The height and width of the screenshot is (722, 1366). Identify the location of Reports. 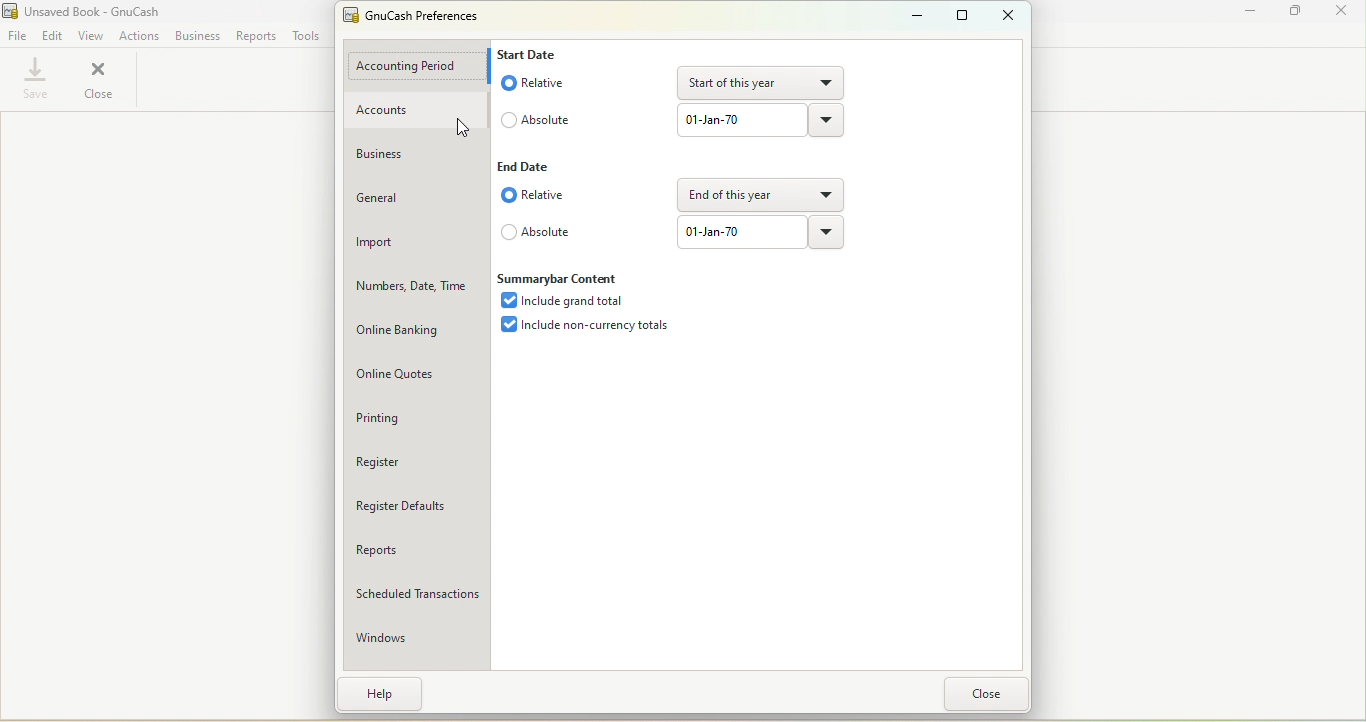
(259, 37).